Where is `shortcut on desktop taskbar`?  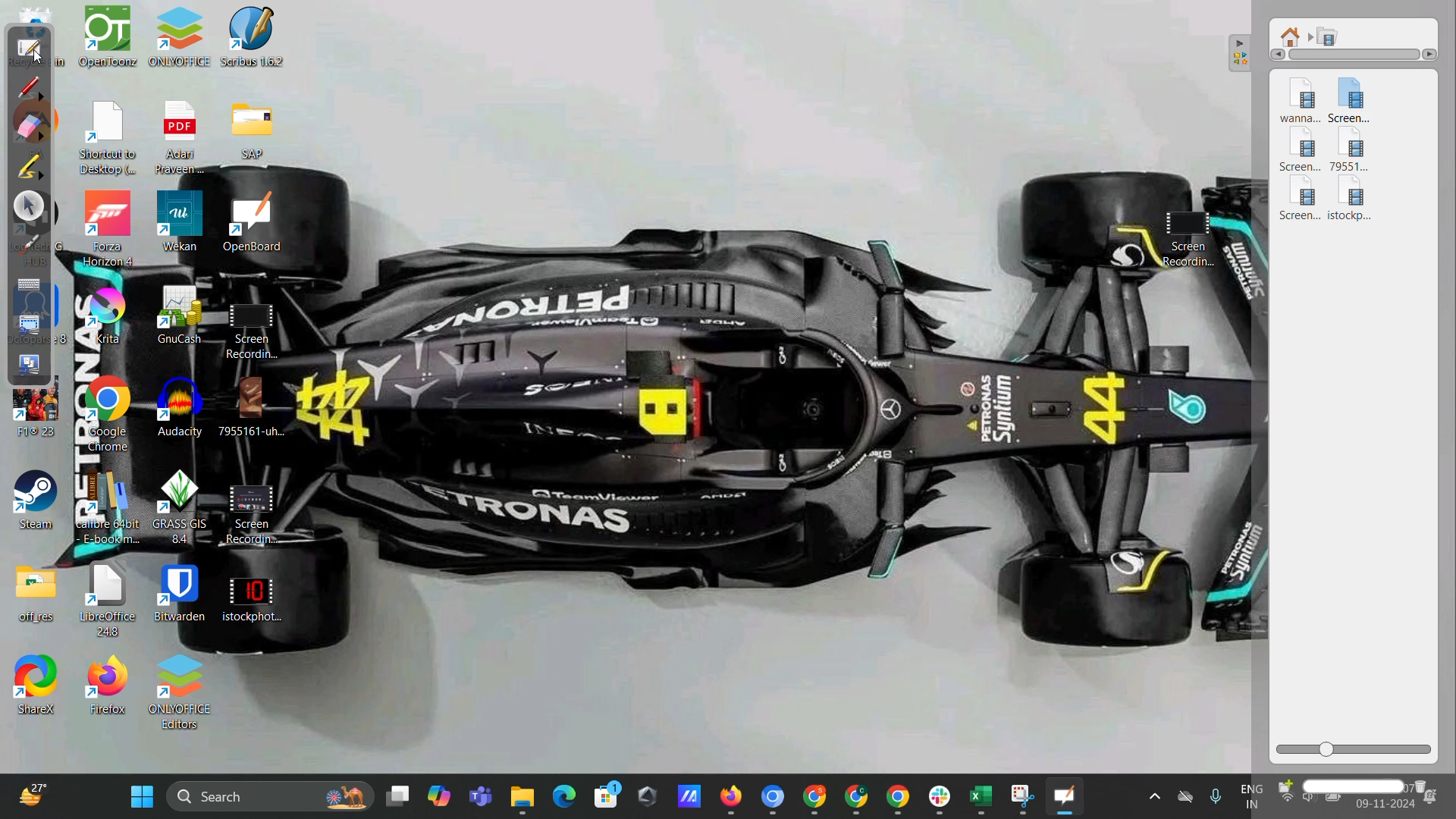
shortcut on desktop taskbar is located at coordinates (649, 795).